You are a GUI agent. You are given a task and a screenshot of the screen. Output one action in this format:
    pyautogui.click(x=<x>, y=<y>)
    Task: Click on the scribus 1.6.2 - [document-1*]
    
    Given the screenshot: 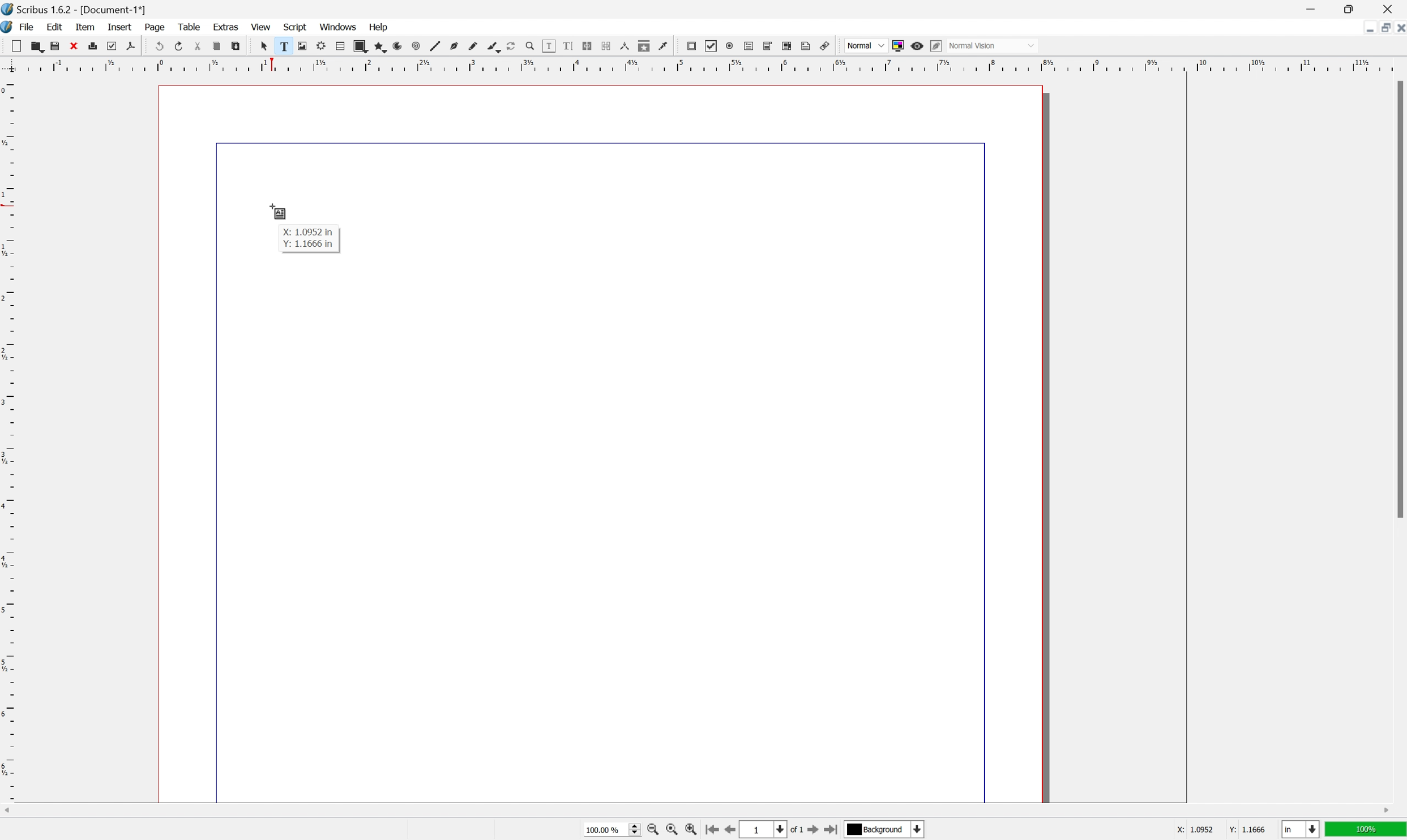 What is the action you would take?
    pyautogui.click(x=74, y=8)
    